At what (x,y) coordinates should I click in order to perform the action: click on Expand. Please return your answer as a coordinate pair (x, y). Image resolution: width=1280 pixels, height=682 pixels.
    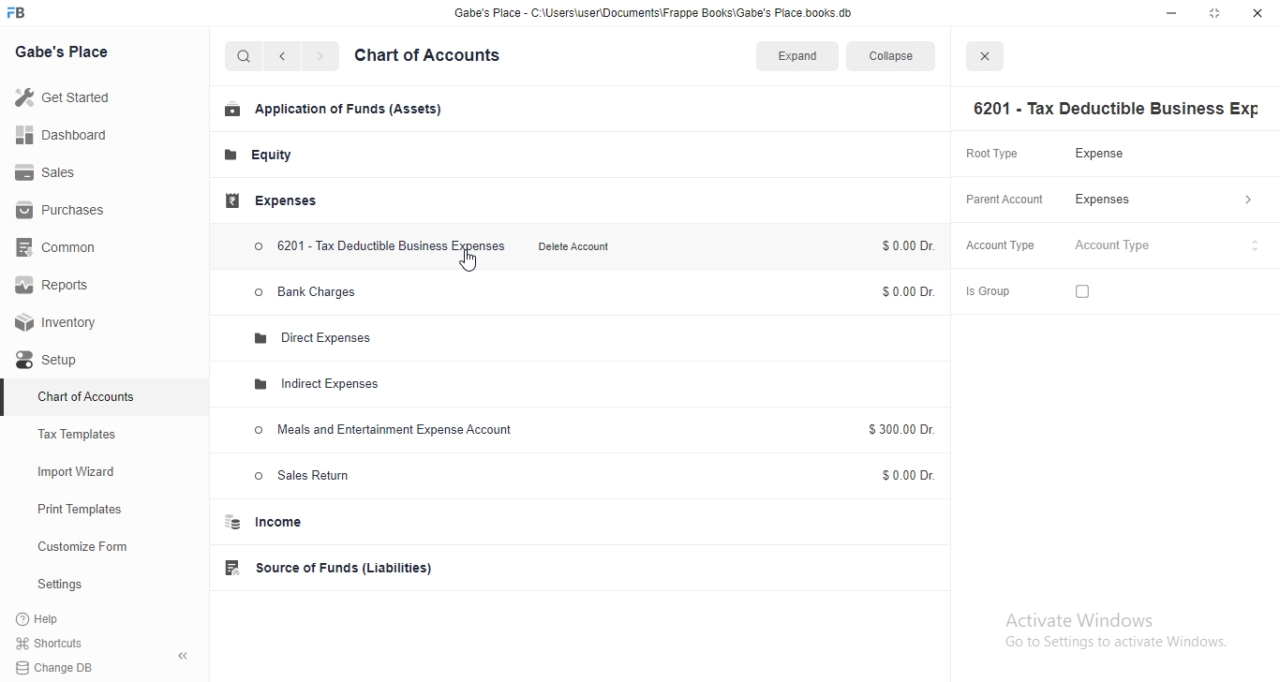
    Looking at the image, I should click on (801, 55).